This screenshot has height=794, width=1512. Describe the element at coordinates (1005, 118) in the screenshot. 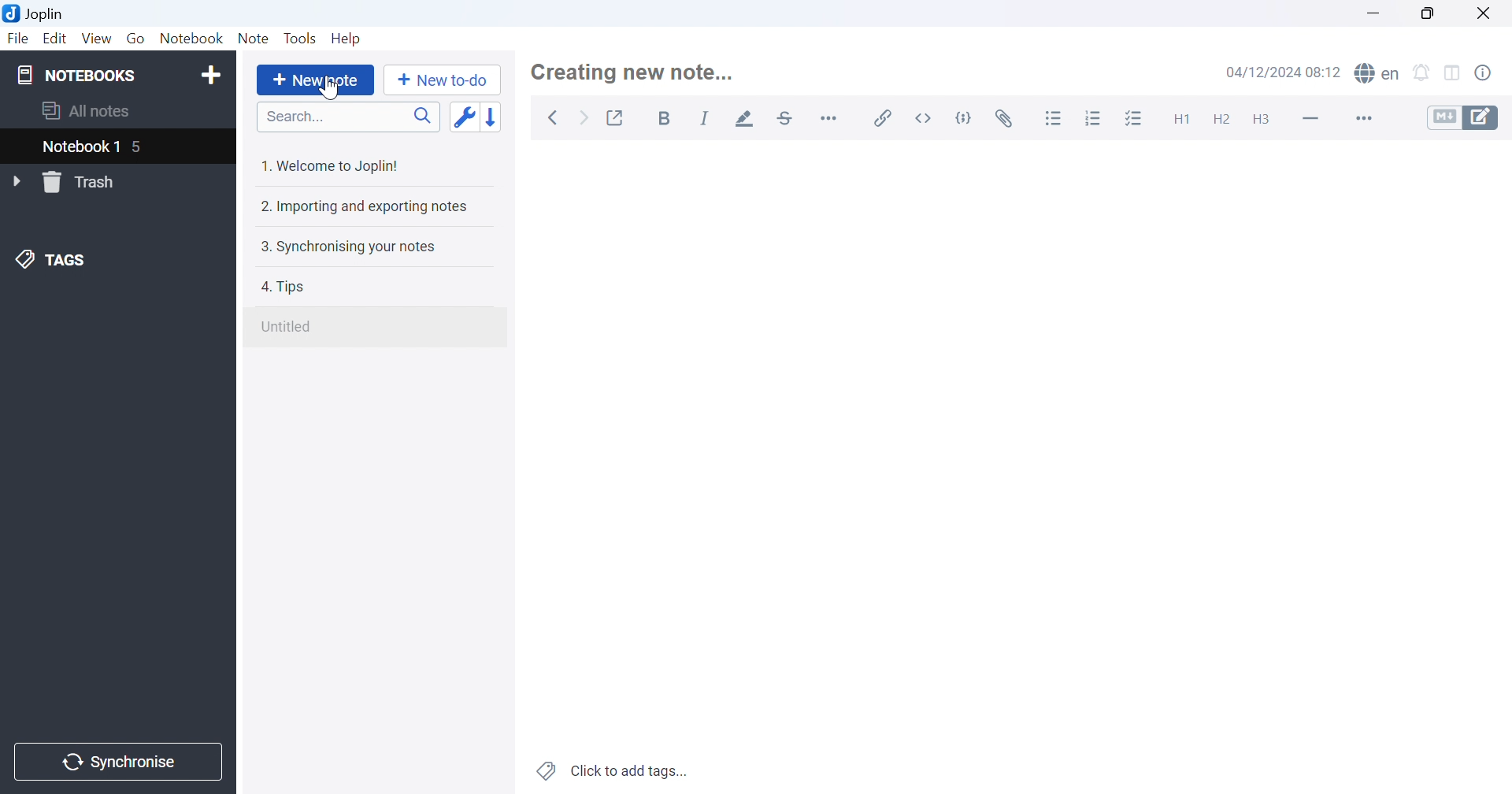

I see `Attach file` at that location.